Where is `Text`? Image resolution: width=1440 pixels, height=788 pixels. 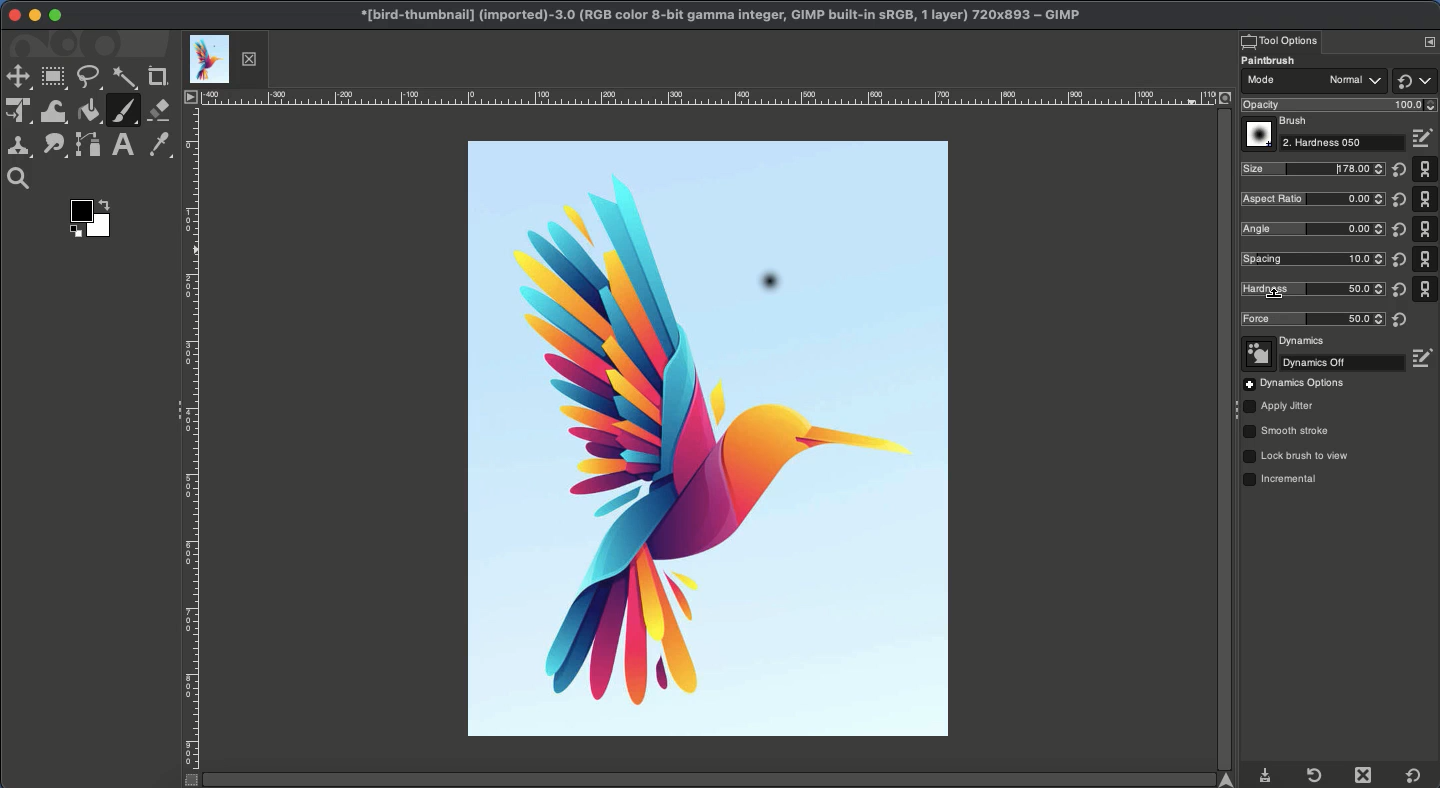
Text is located at coordinates (122, 145).